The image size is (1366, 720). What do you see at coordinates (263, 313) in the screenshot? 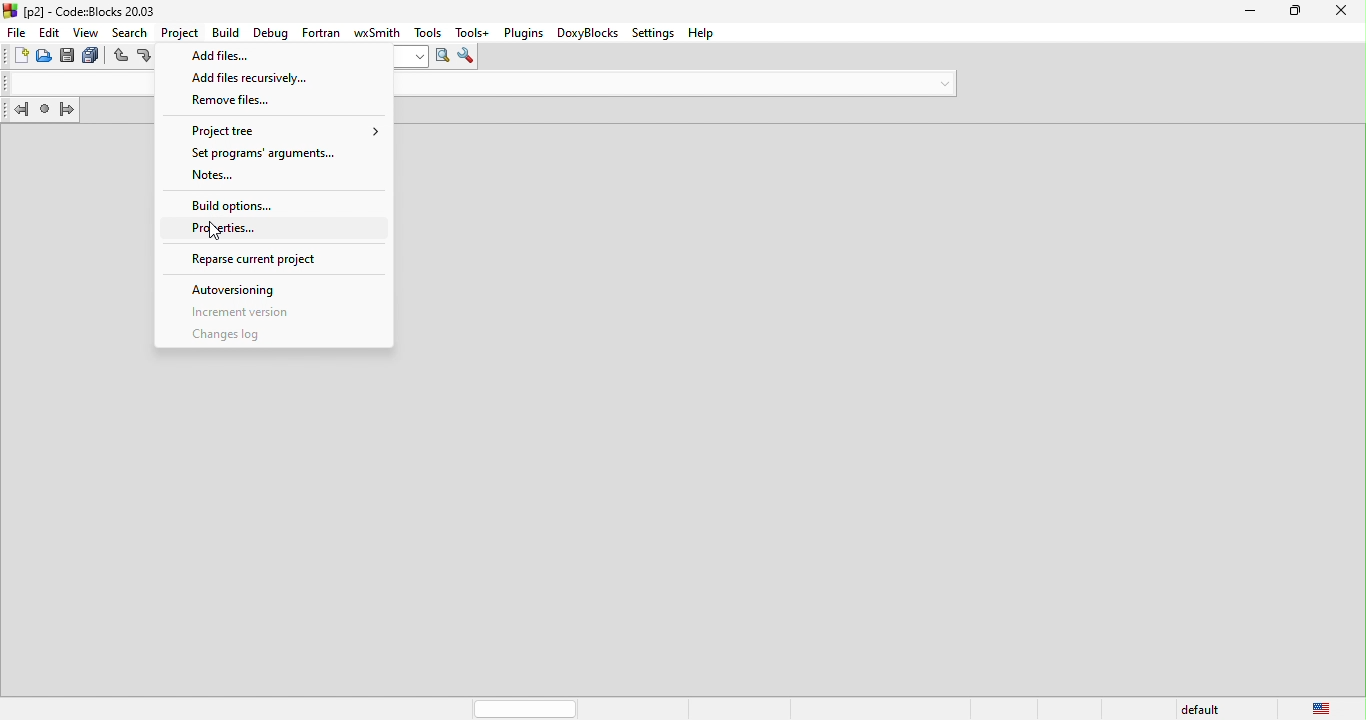
I see `increment version` at bounding box center [263, 313].